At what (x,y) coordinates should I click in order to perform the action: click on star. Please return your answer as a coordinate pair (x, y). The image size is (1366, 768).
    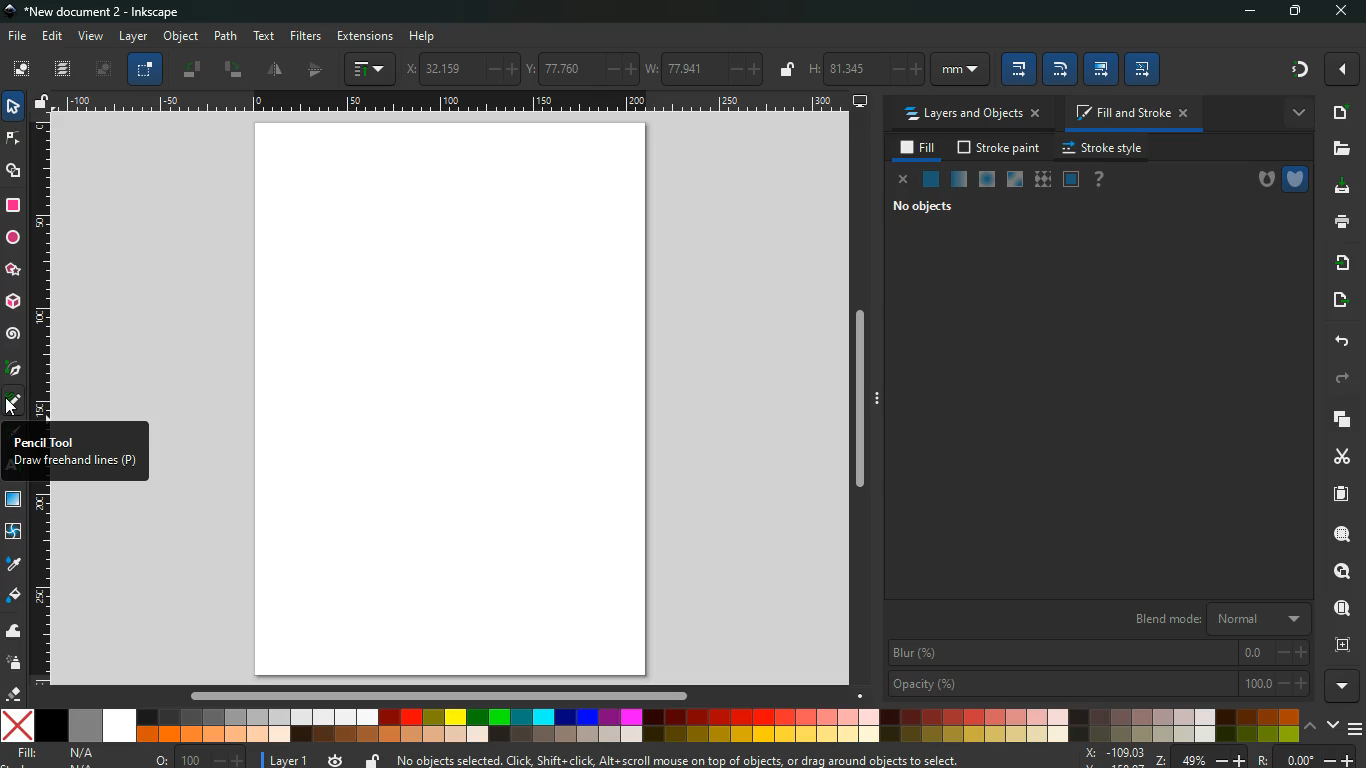
    Looking at the image, I should click on (13, 270).